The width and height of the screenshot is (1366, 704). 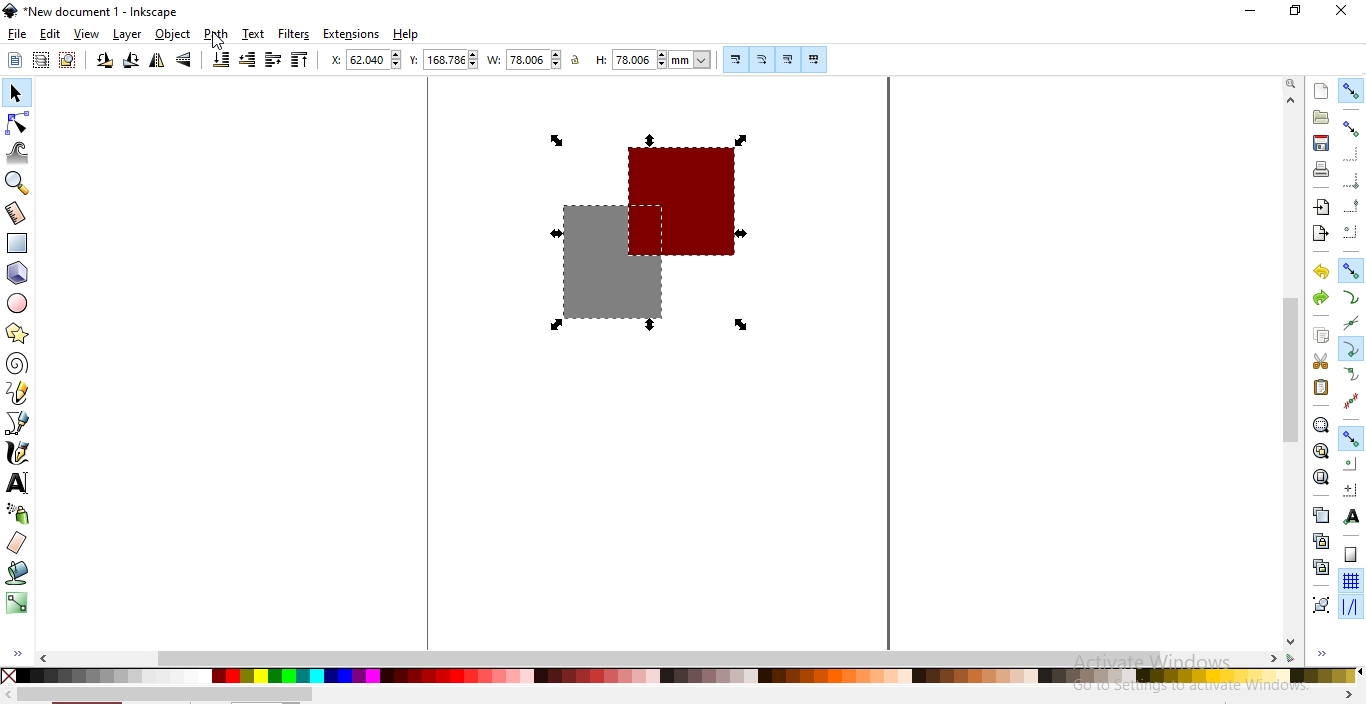 What do you see at coordinates (1352, 90) in the screenshot?
I see `enable snapping` at bounding box center [1352, 90].